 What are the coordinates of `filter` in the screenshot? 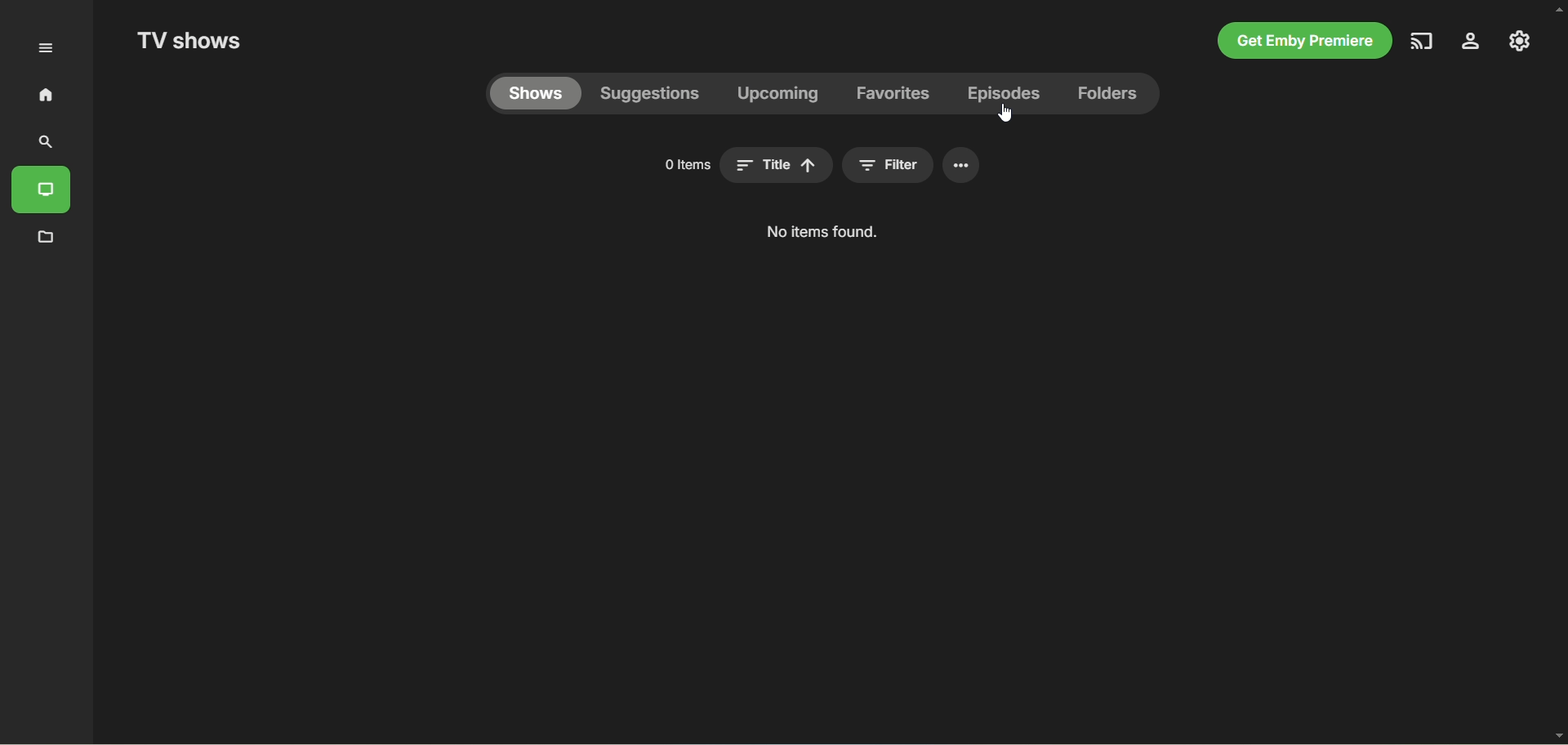 It's located at (888, 165).